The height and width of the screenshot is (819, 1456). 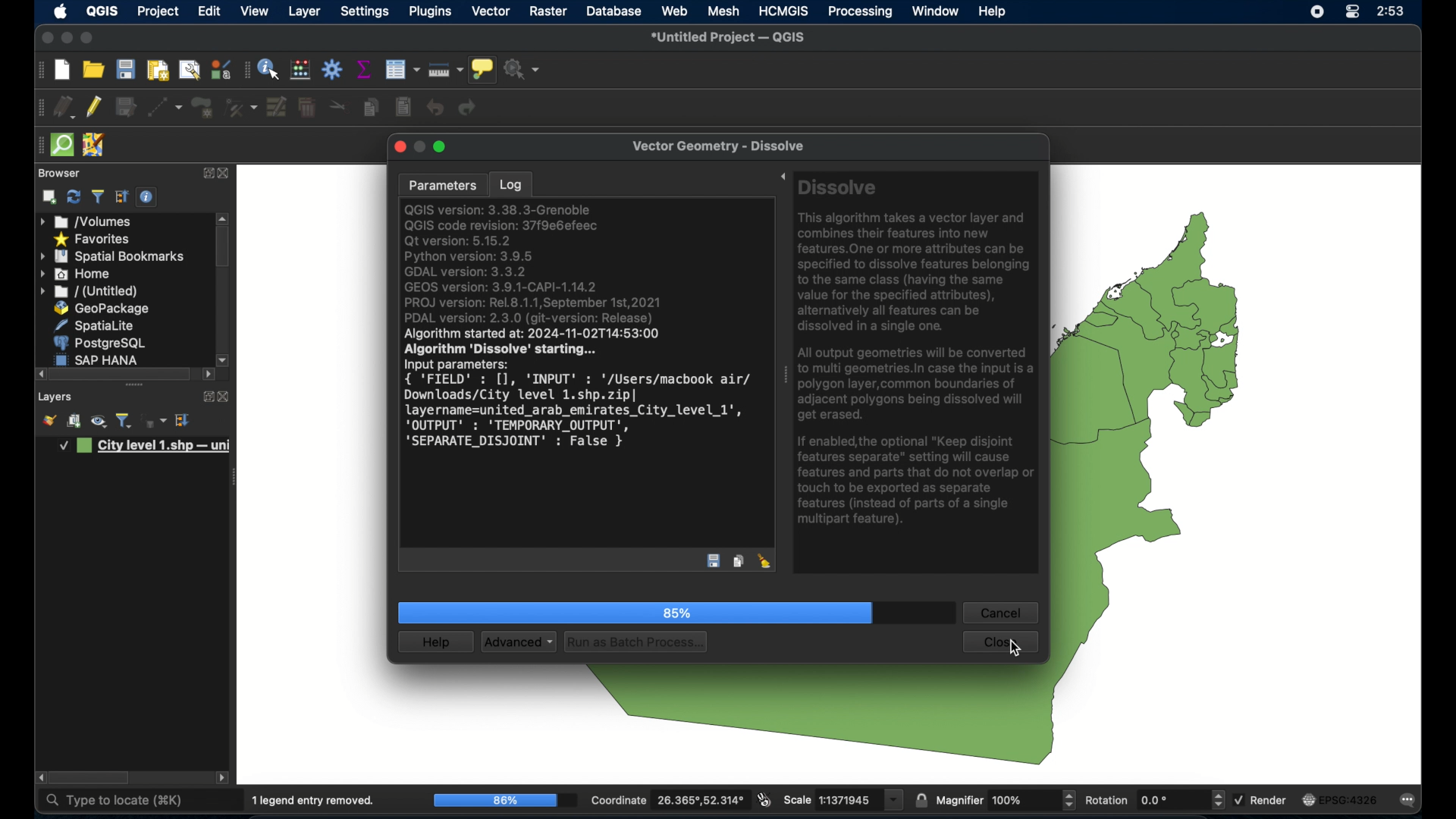 What do you see at coordinates (209, 11) in the screenshot?
I see `edit` at bounding box center [209, 11].